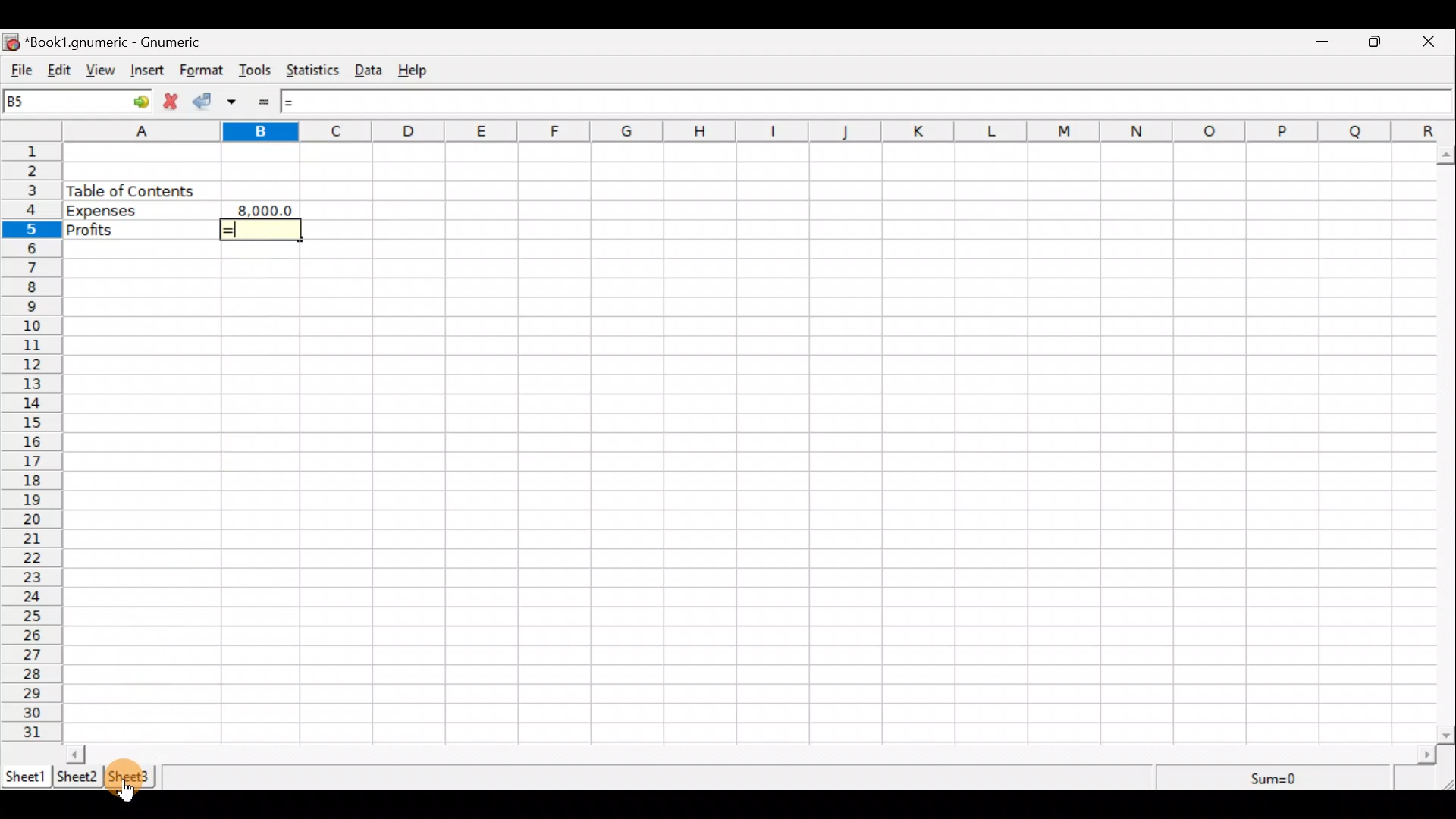 Image resolution: width=1456 pixels, height=819 pixels. I want to click on Formula bar, so click(861, 101).